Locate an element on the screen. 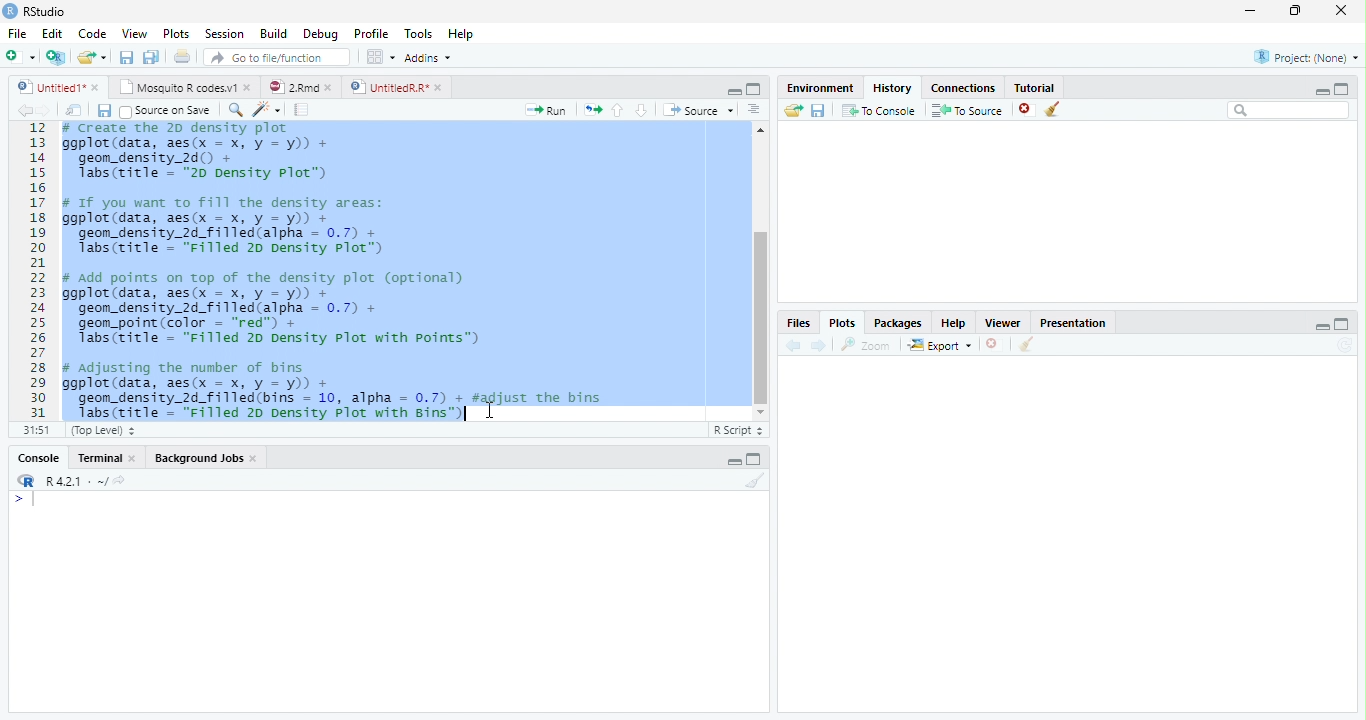  Help is located at coordinates (953, 325).